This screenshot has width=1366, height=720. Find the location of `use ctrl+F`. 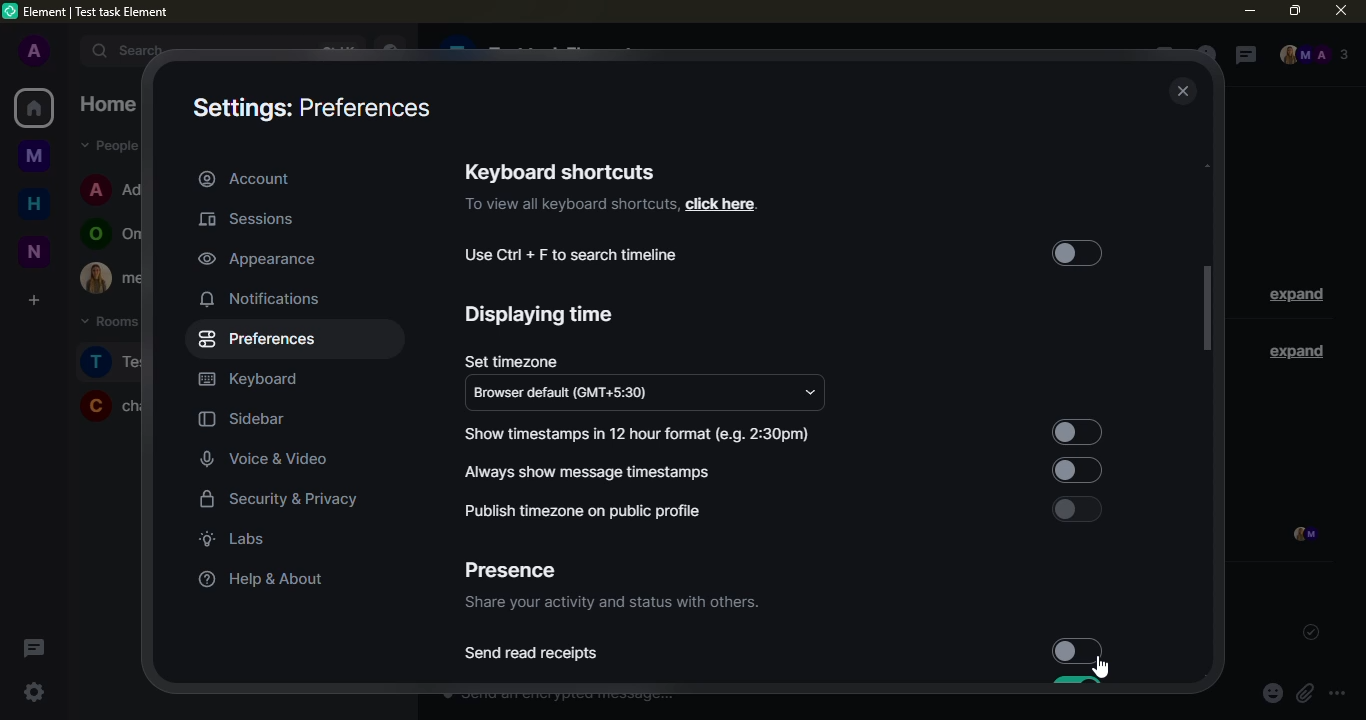

use ctrl+F is located at coordinates (572, 255).